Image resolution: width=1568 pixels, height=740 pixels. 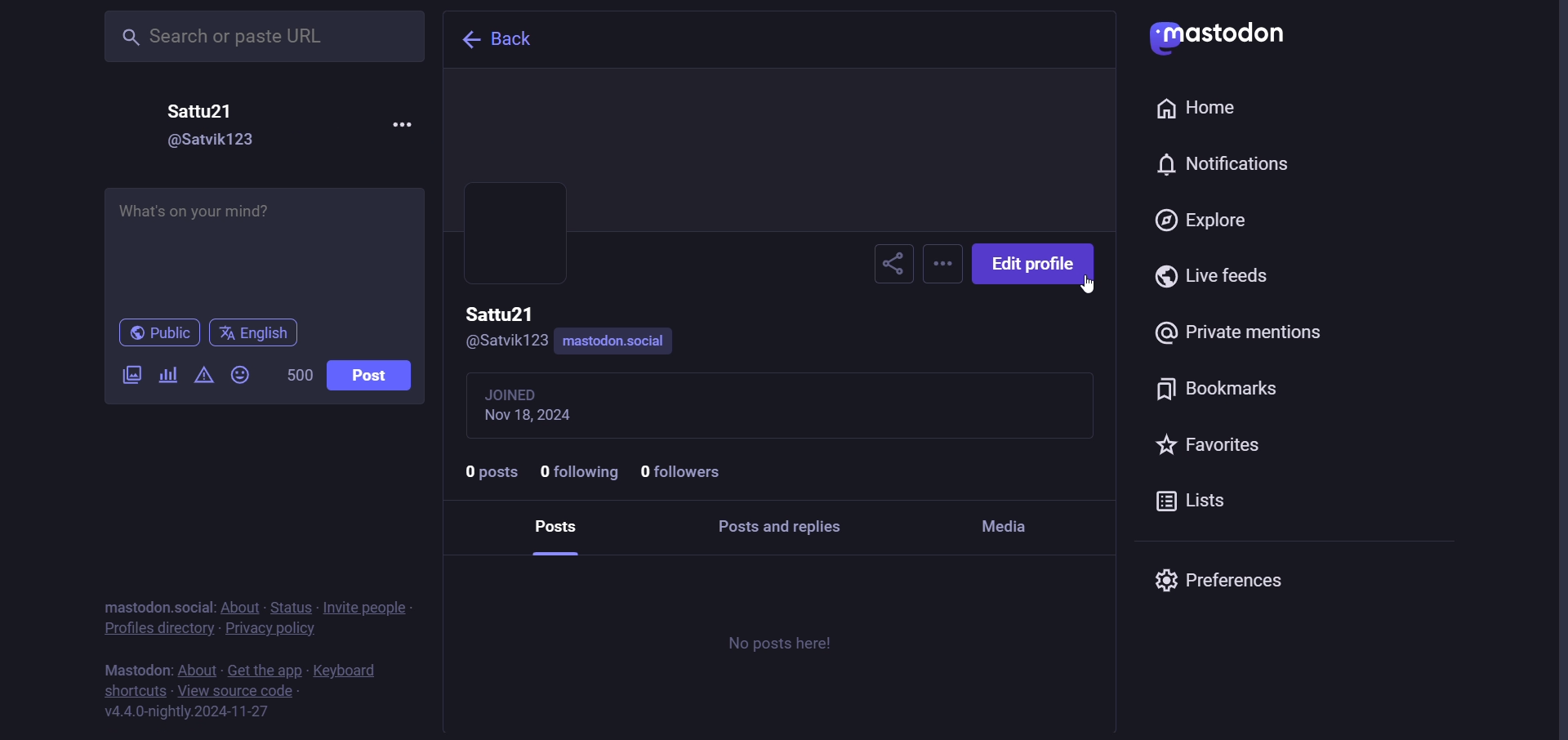 I want to click on poll, so click(x=166, y=375).